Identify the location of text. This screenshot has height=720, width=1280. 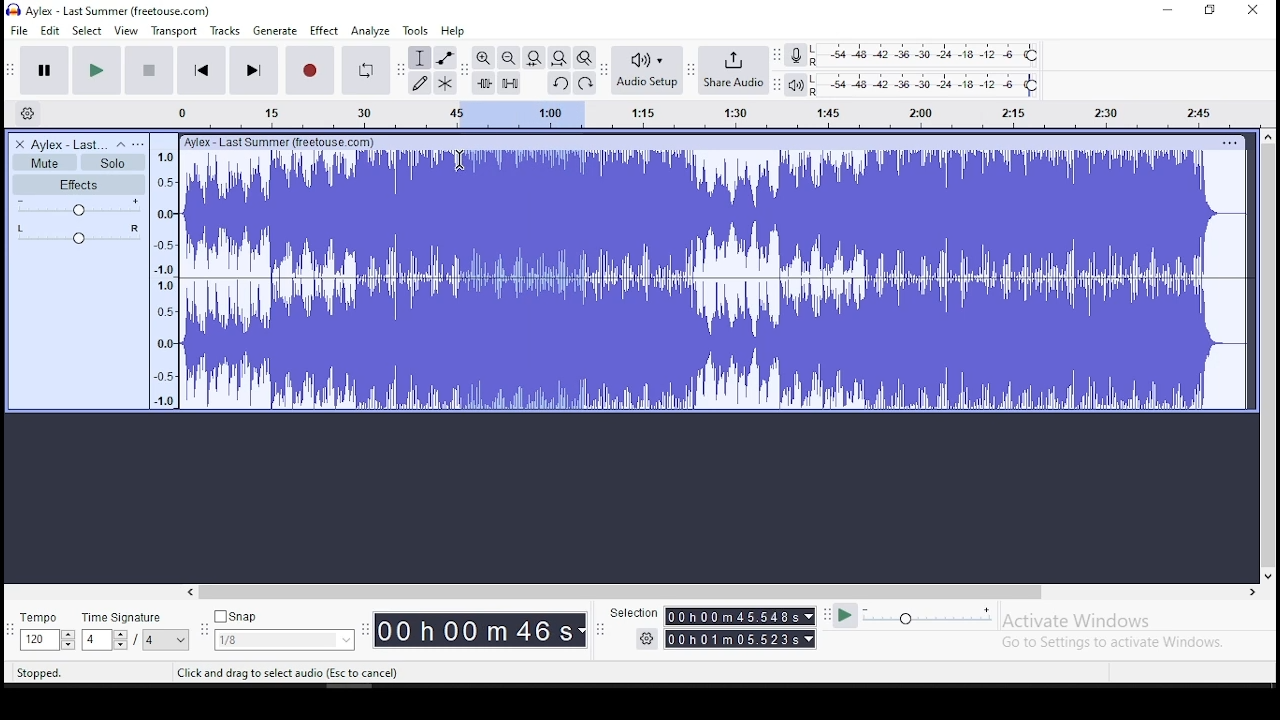
(288, 142).